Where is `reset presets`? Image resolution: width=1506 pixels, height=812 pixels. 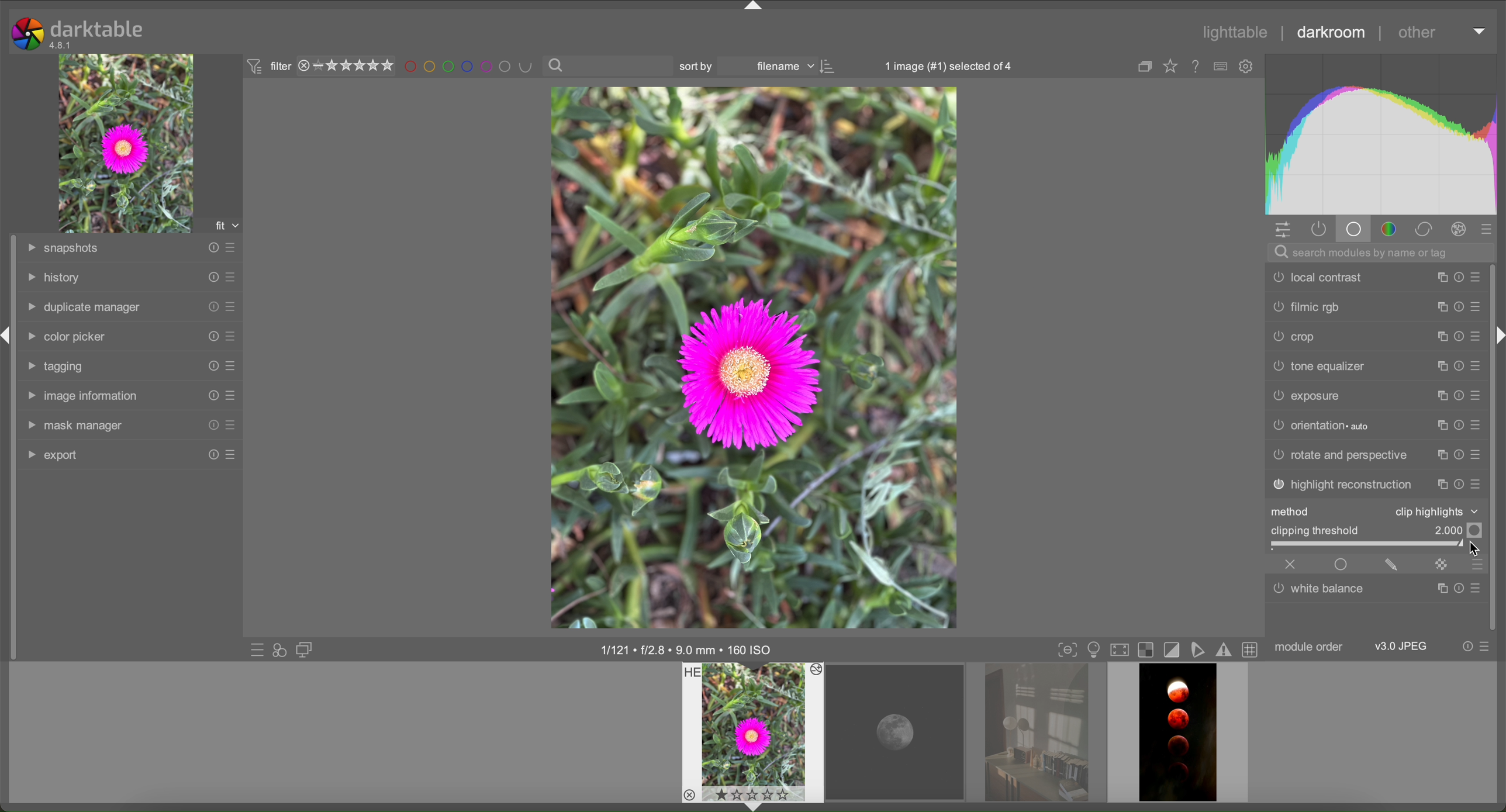 reset presets is located at coordinates (210, 455).